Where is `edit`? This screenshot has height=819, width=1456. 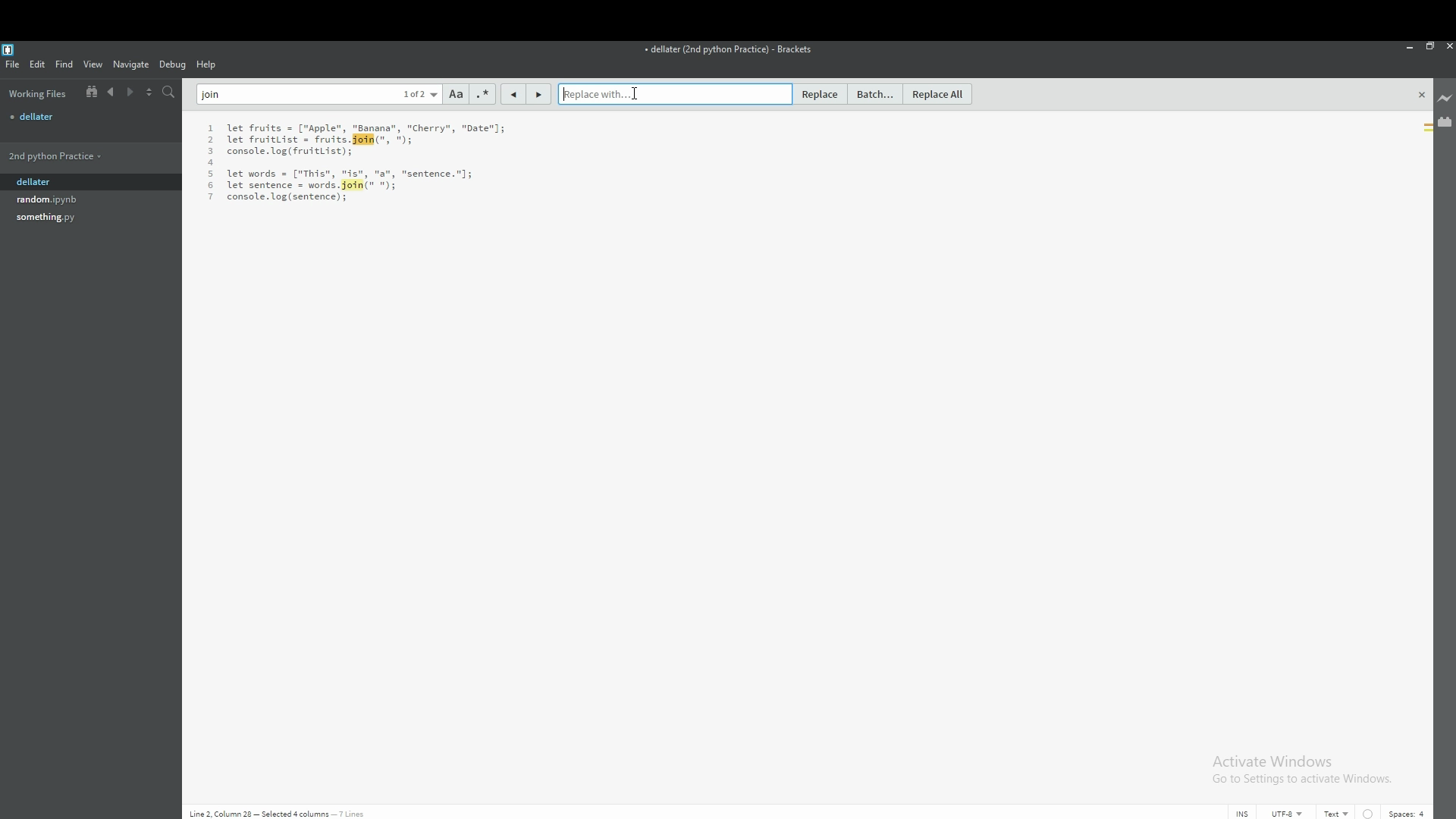 edit is located at coordinates (38, 64).